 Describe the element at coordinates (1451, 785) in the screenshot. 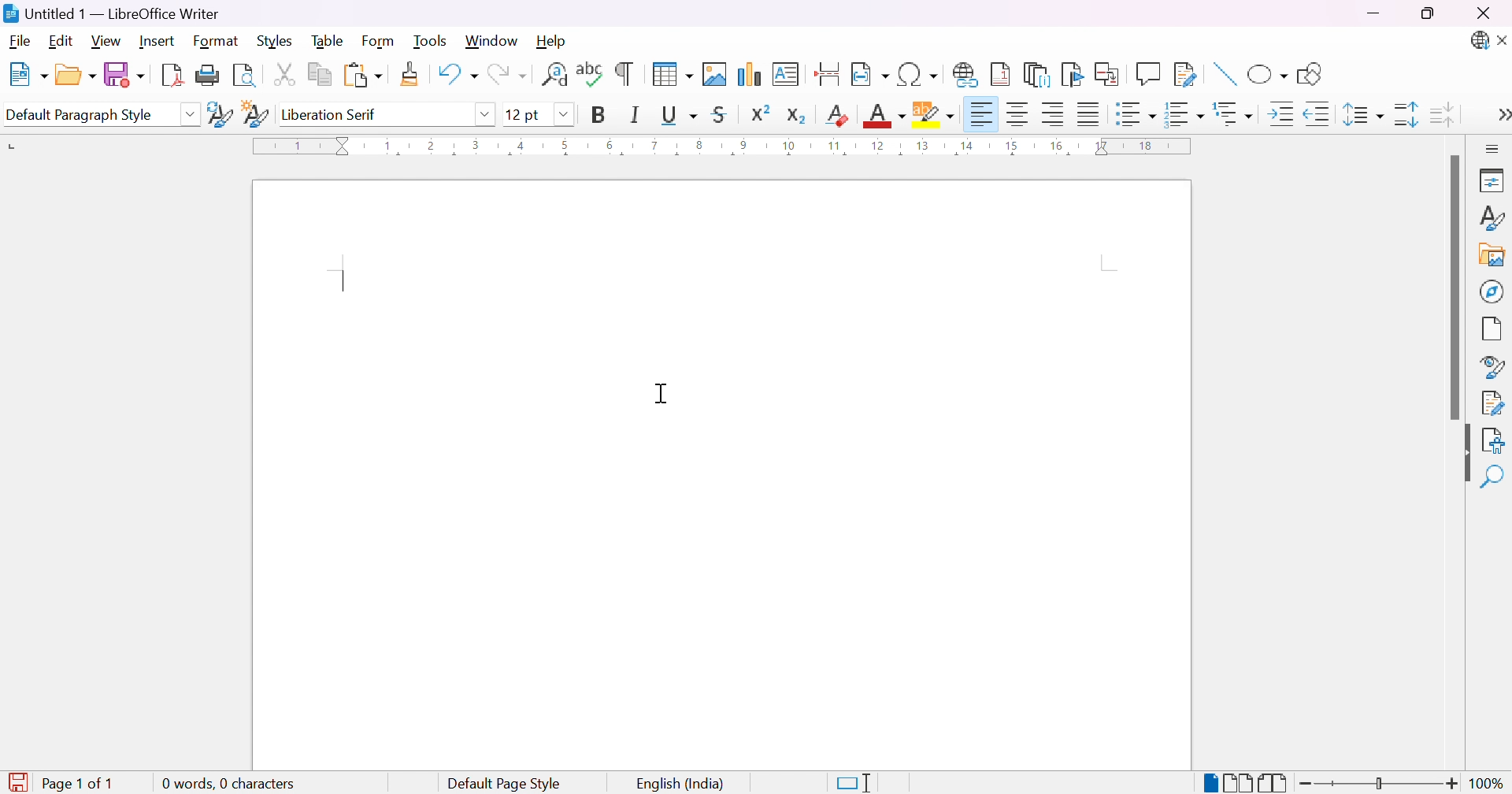

I see `Zoom in` at that location.